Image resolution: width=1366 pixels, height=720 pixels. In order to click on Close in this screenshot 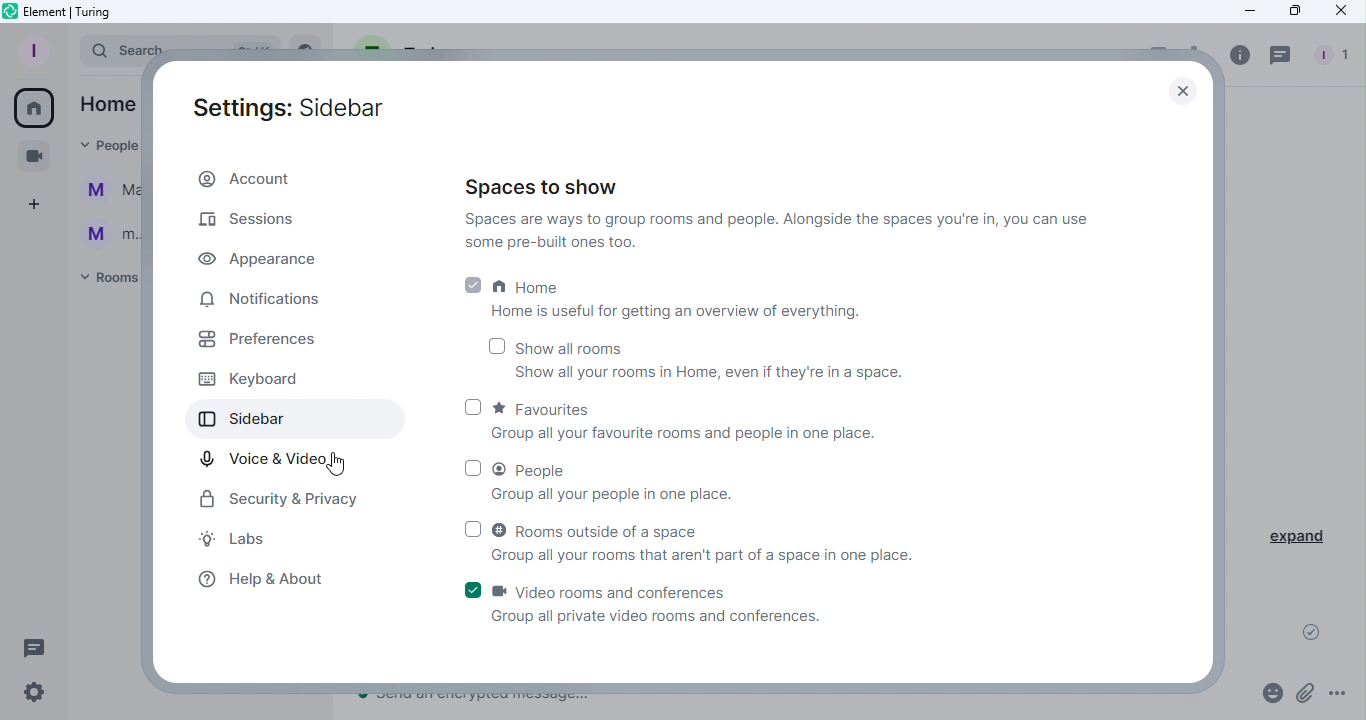, I will do `click(1184, 92)`.